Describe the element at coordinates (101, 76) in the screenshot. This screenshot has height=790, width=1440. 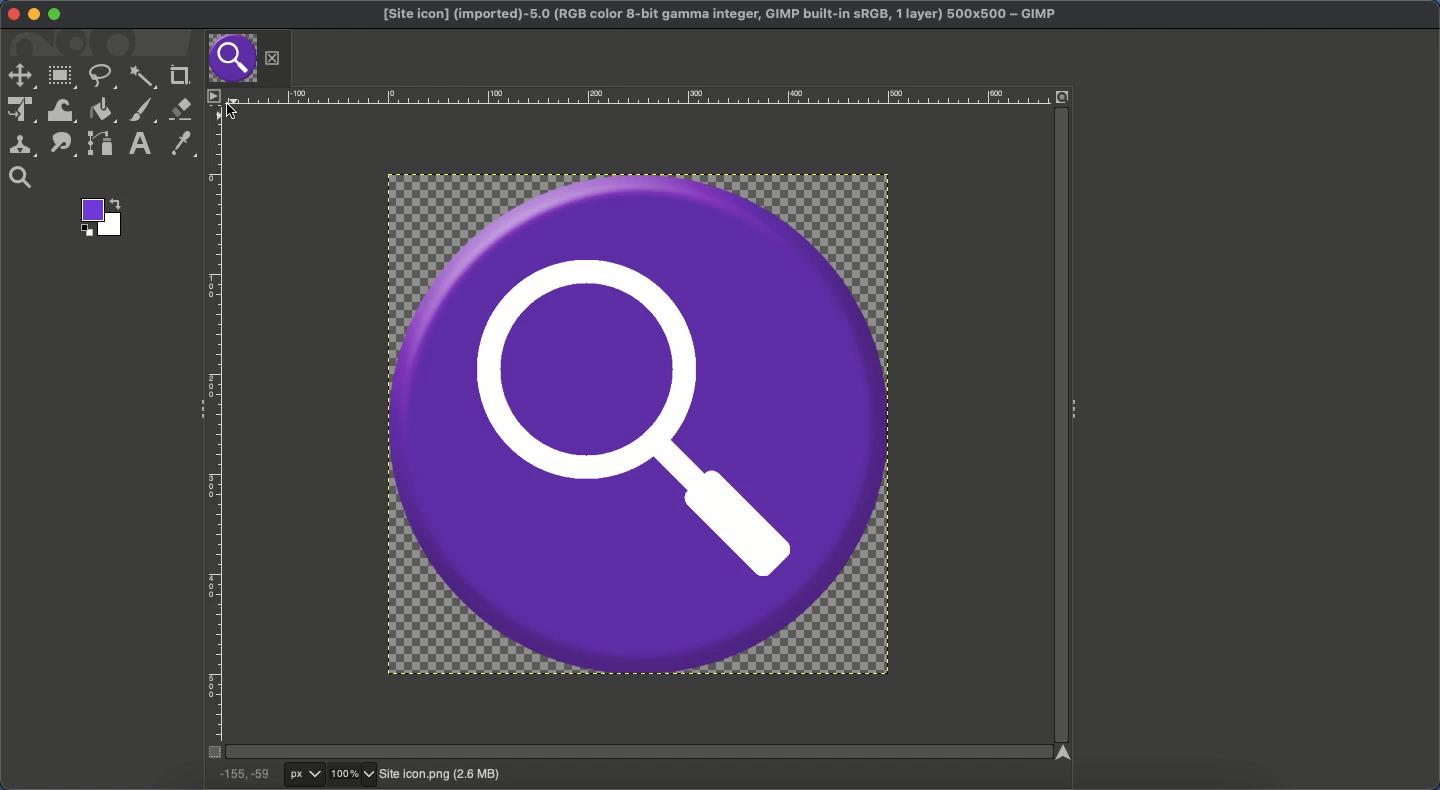
I see `Freeform selector` at that location.